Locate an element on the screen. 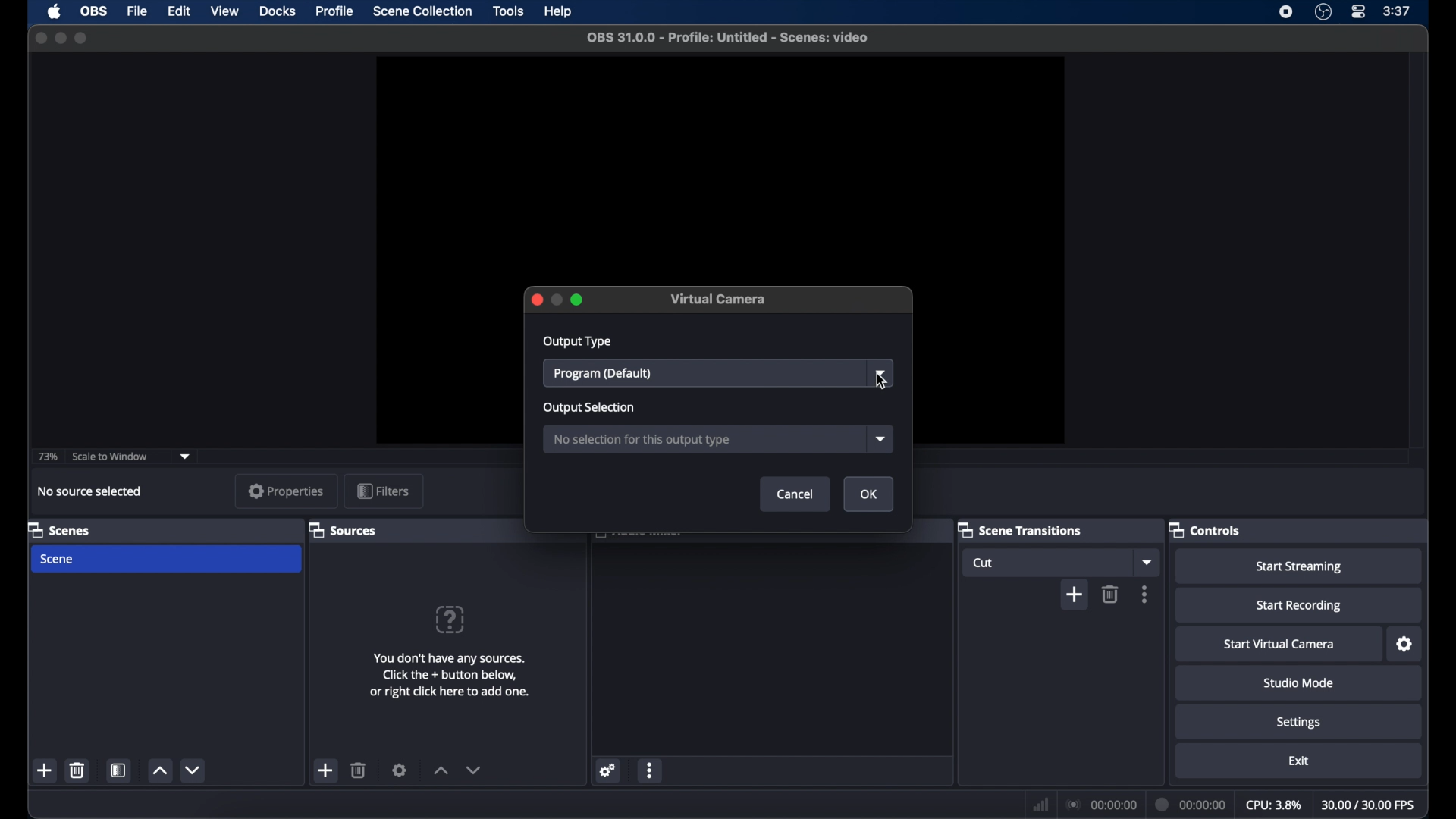 The width and height of the screenshot is (1456, 819). start streaming is located at coordinates (1298, 567).